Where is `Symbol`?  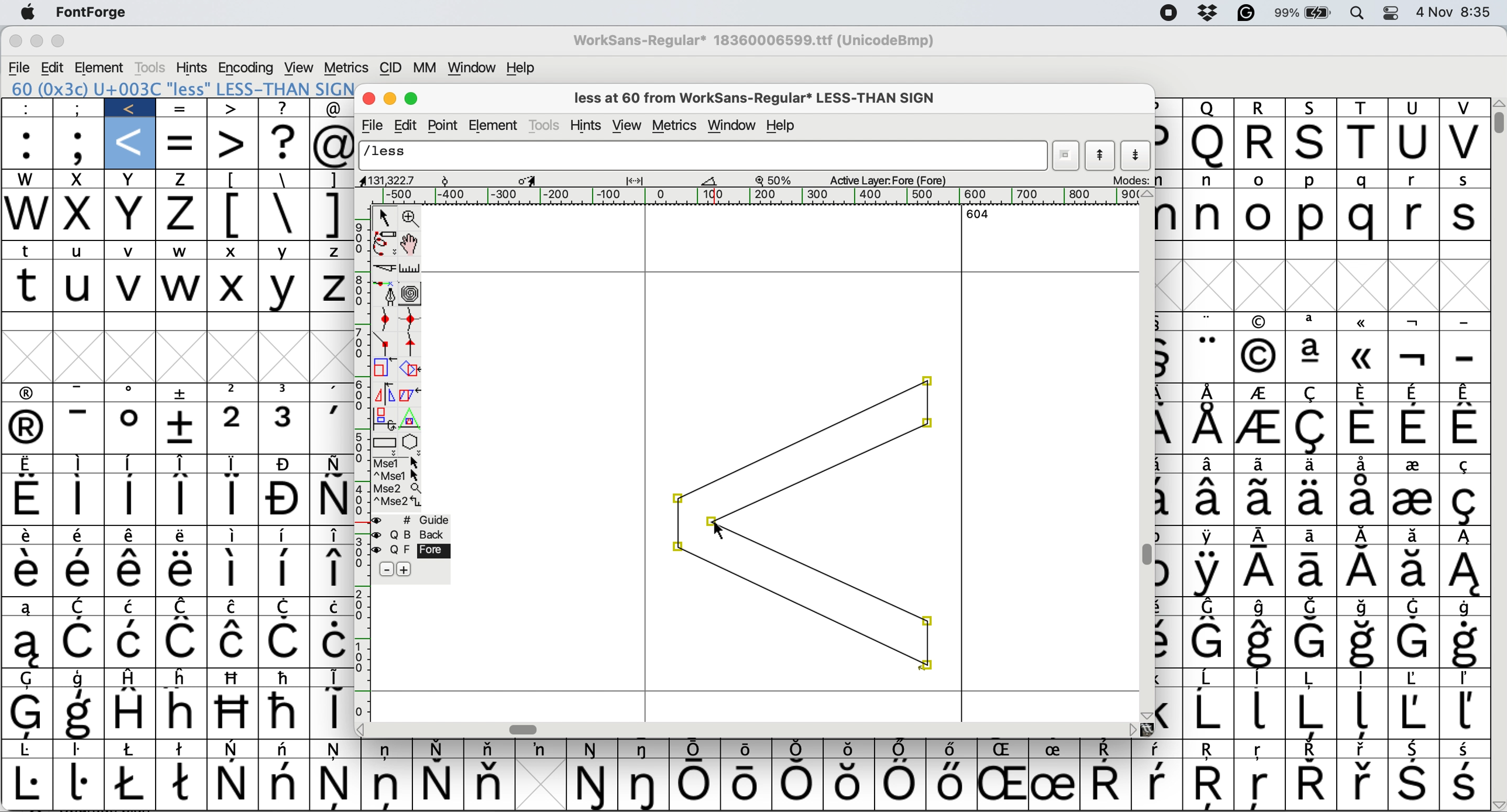
Symbol is located at coordinates (338, 750).